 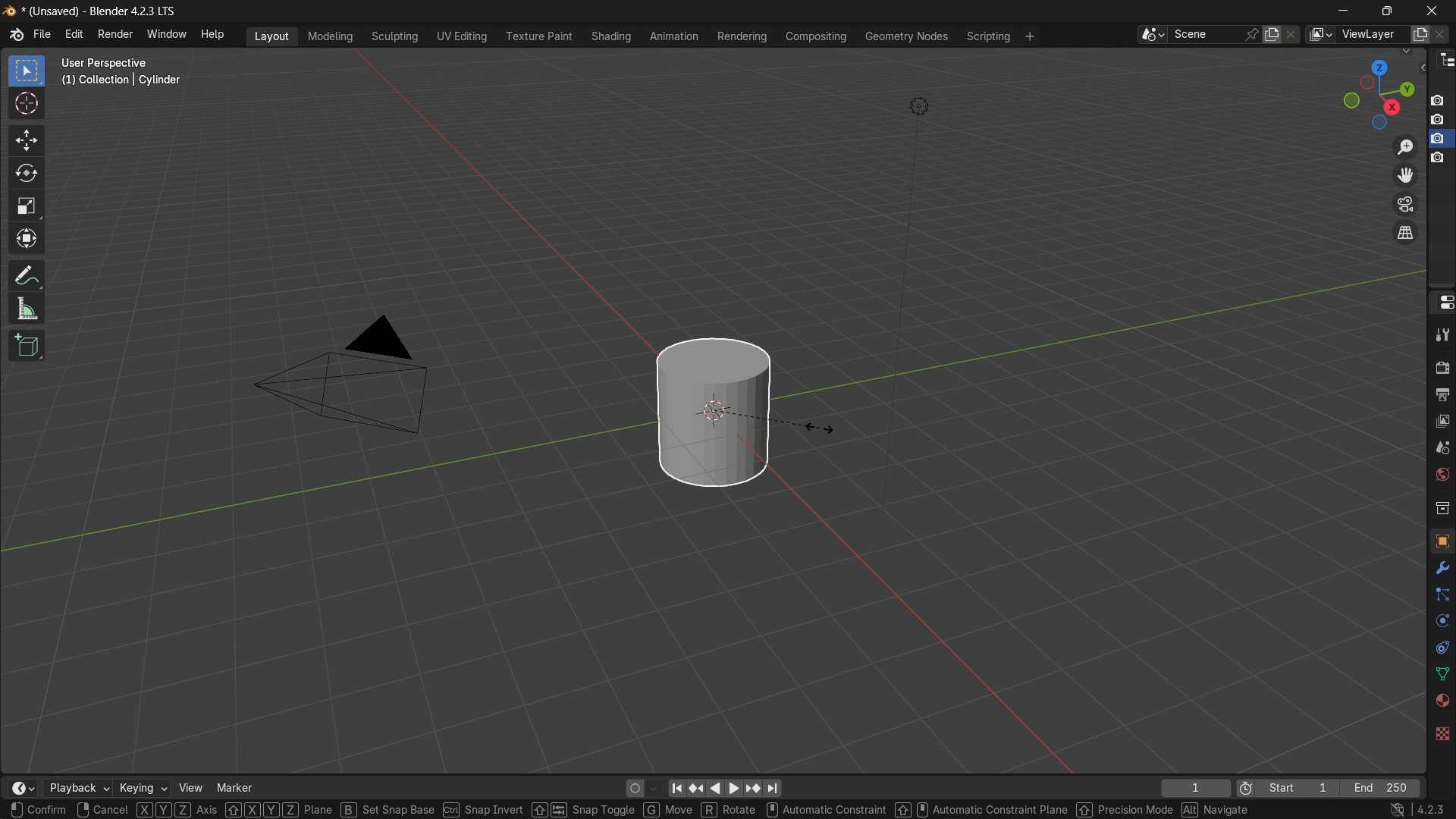 I want to click on playback, so click(x=77, y=788).